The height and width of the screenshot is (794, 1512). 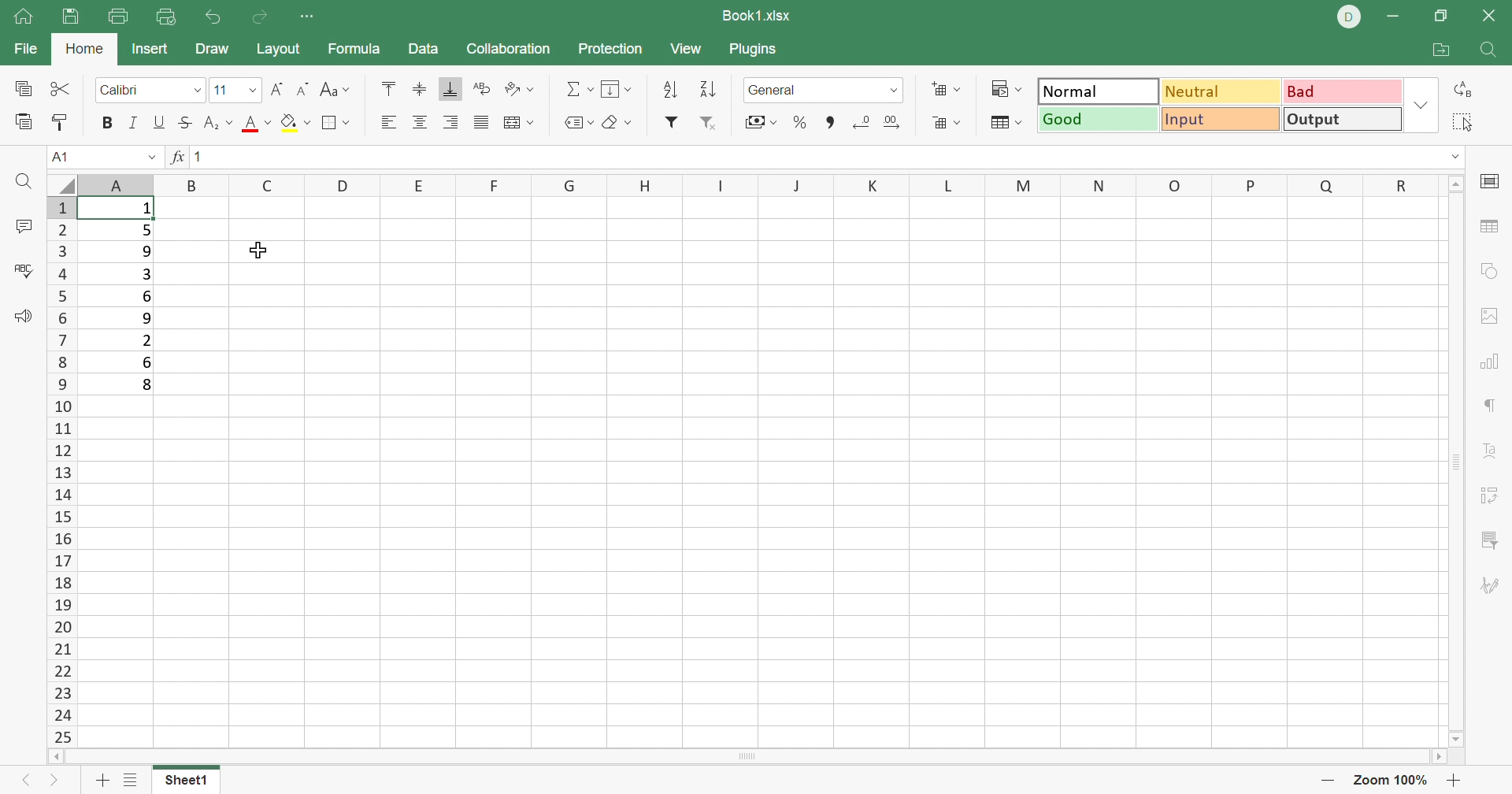 What do you see at coordinates (949, 124) in the screenshot?
I see `Format as table template` at bounding box center [949, 124].